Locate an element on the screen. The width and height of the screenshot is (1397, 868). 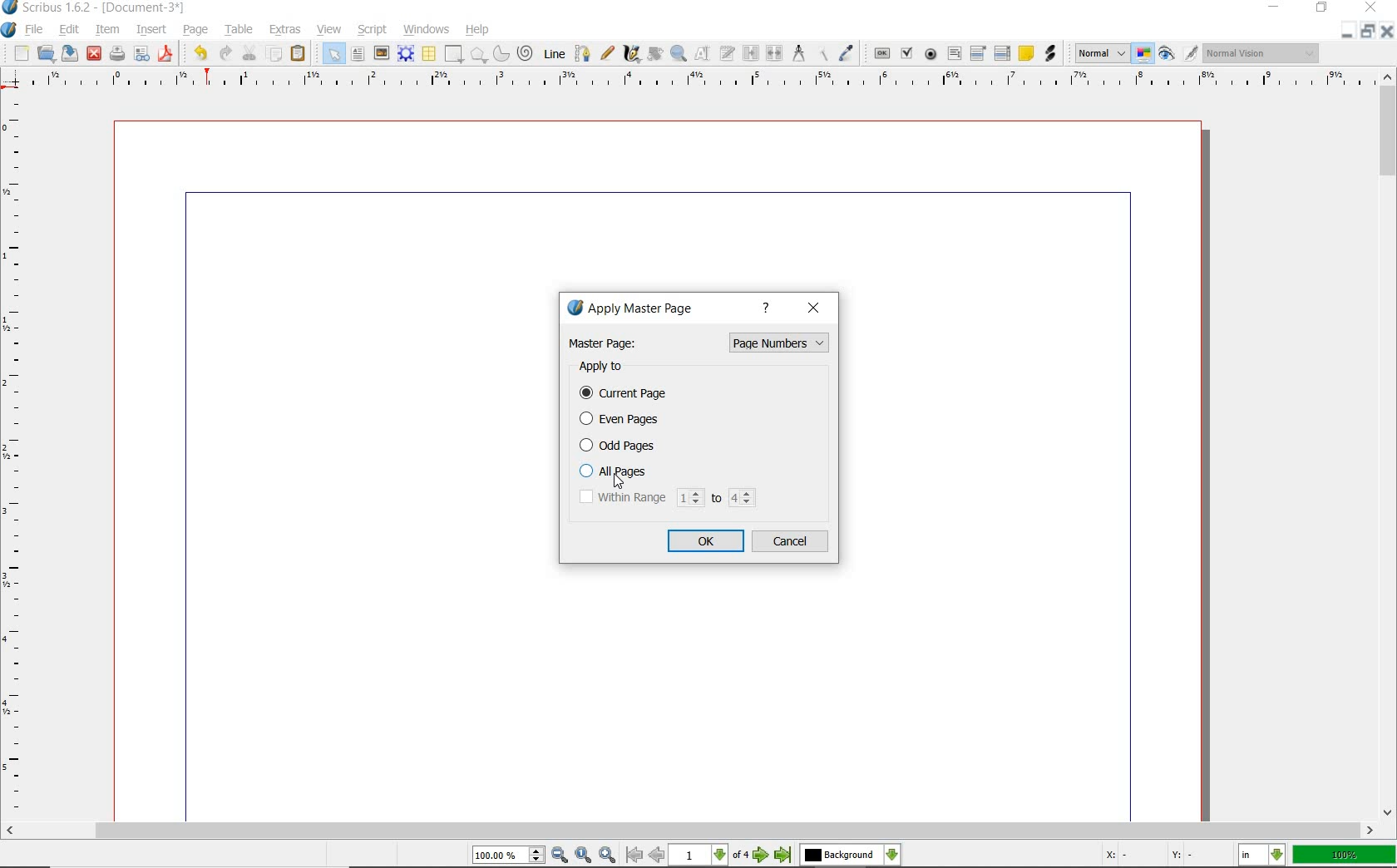
all pages is located at coordinates (667, 471).